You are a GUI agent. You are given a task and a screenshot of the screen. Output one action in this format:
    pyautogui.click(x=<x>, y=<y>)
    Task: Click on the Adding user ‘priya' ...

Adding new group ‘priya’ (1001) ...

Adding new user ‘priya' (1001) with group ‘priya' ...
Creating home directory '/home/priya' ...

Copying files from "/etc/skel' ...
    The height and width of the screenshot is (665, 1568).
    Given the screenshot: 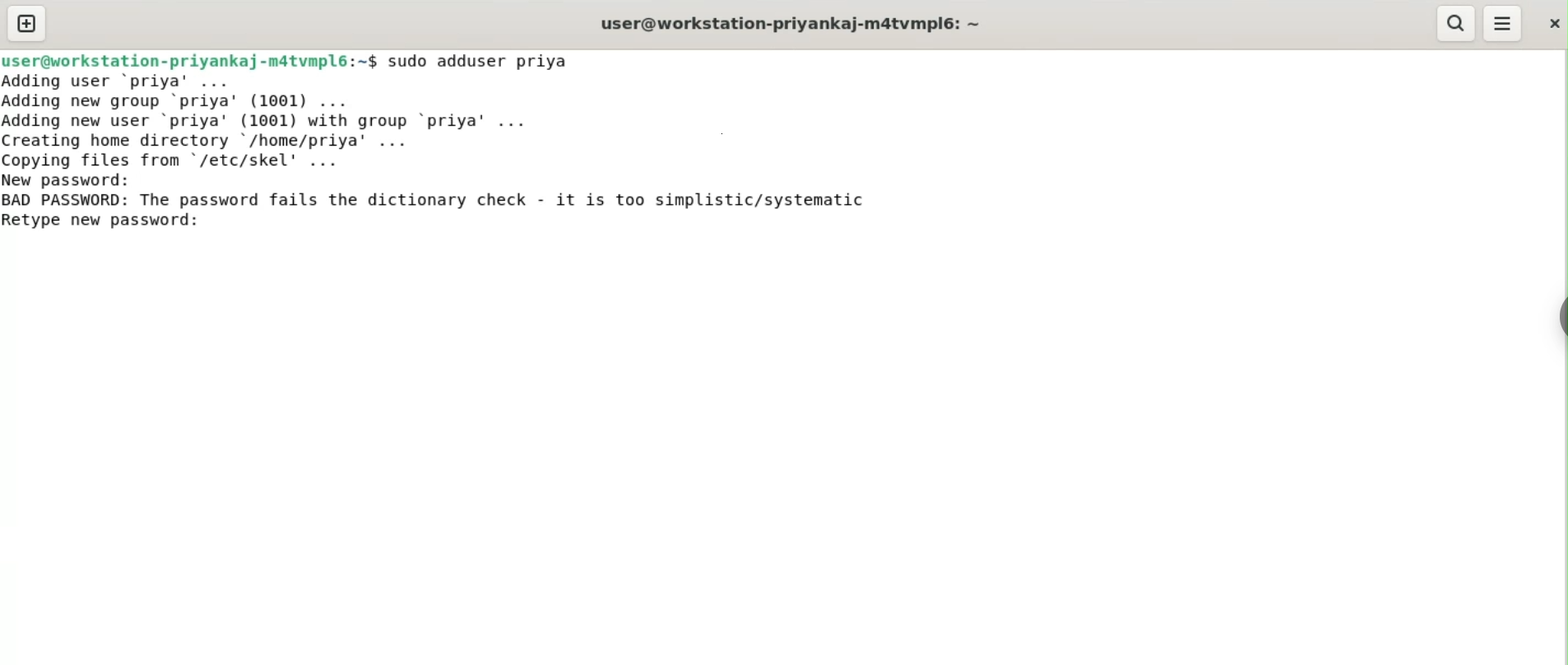 What is the action you would take?
    pyautogui.click(x=274, y=121)
    